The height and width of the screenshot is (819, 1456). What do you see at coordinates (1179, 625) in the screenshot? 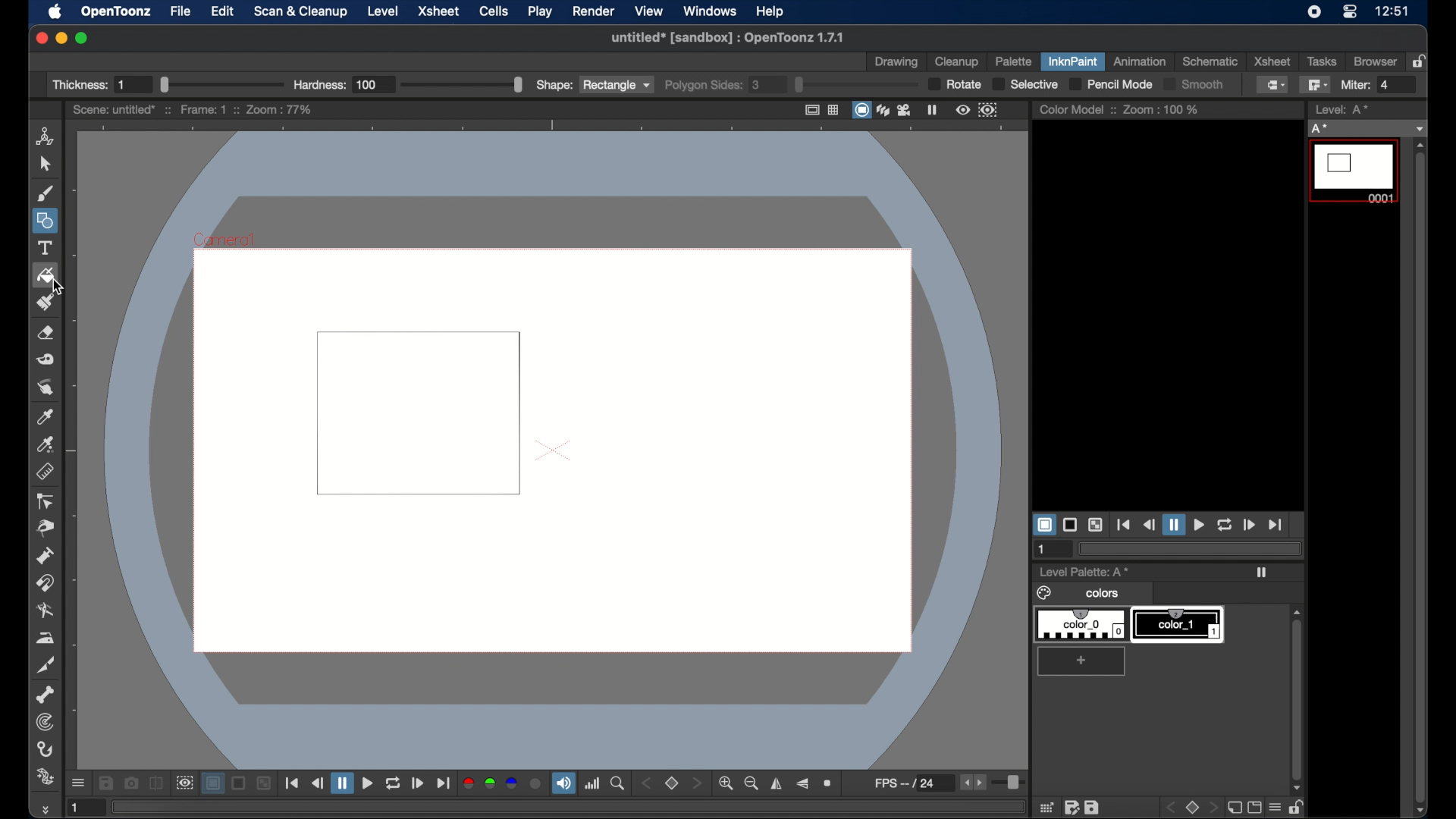
I see `color_1` at bounding box center [1179, 625].